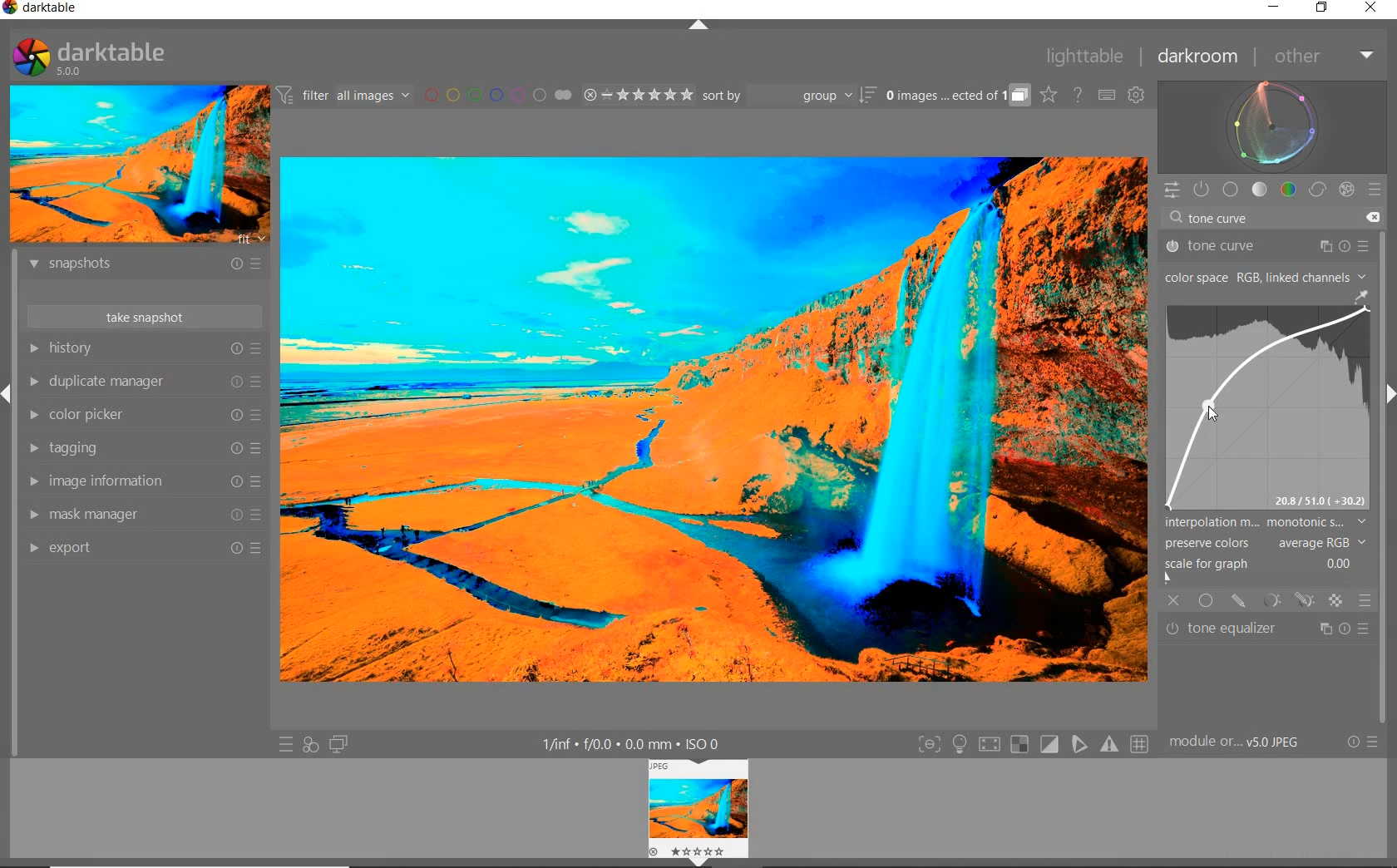 The height and width of the screenshot is (868, 1397). I want to click on QUICK ACCESS PANEL, so click(1172, 190).